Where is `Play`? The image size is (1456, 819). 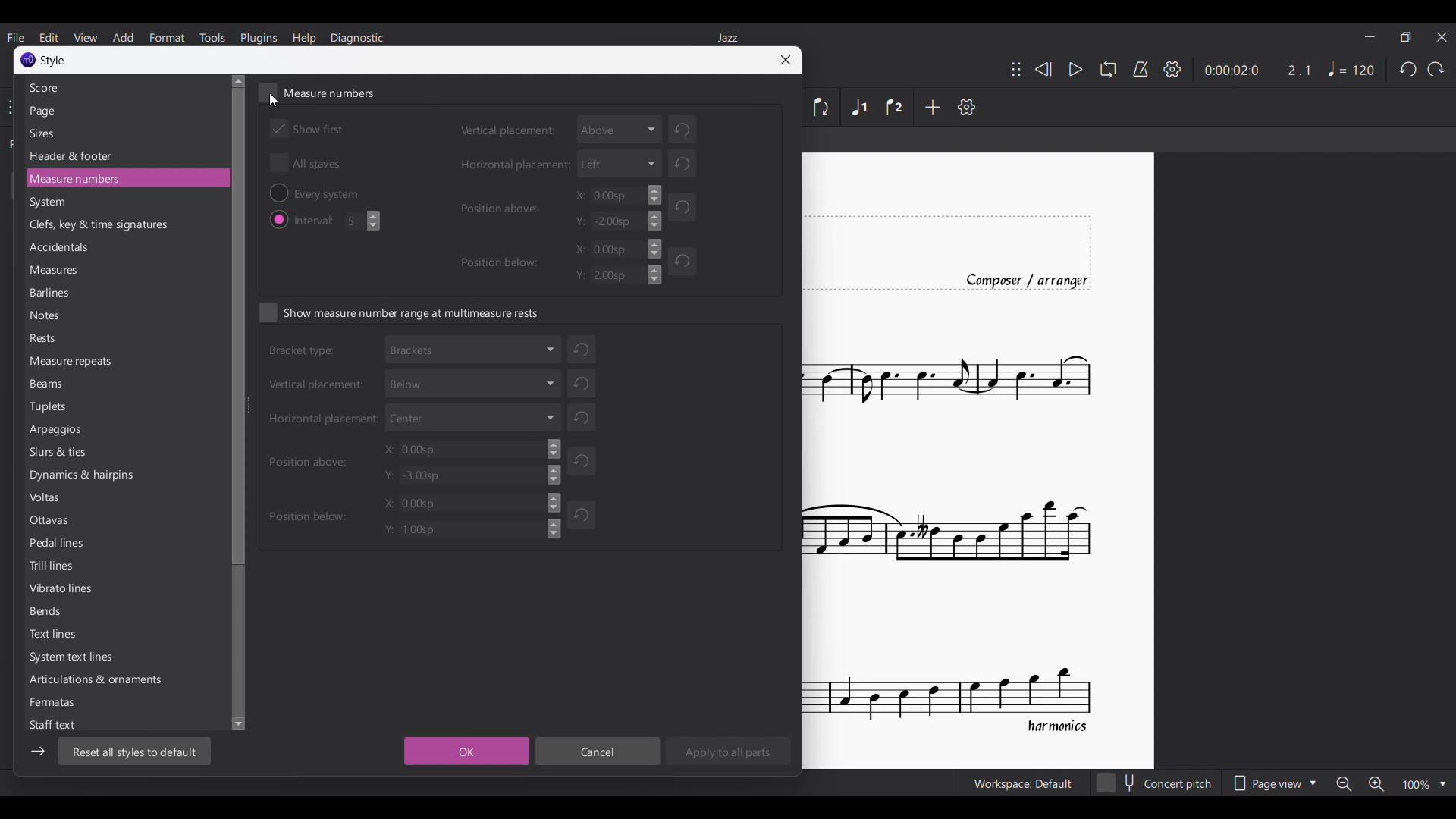 Play is located at coordinates (1076, 70).